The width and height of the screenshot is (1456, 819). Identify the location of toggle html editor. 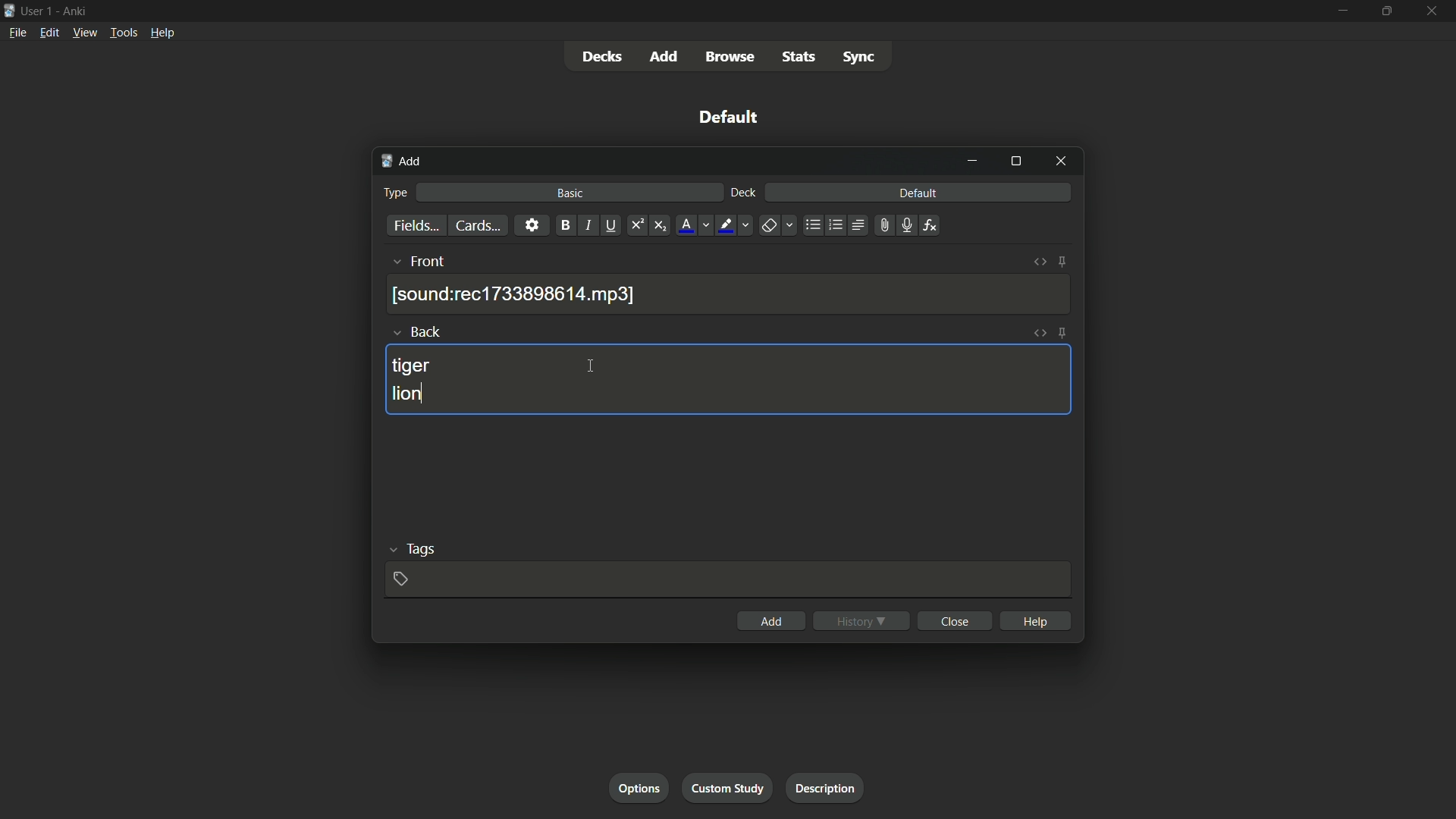
(1040, 334).